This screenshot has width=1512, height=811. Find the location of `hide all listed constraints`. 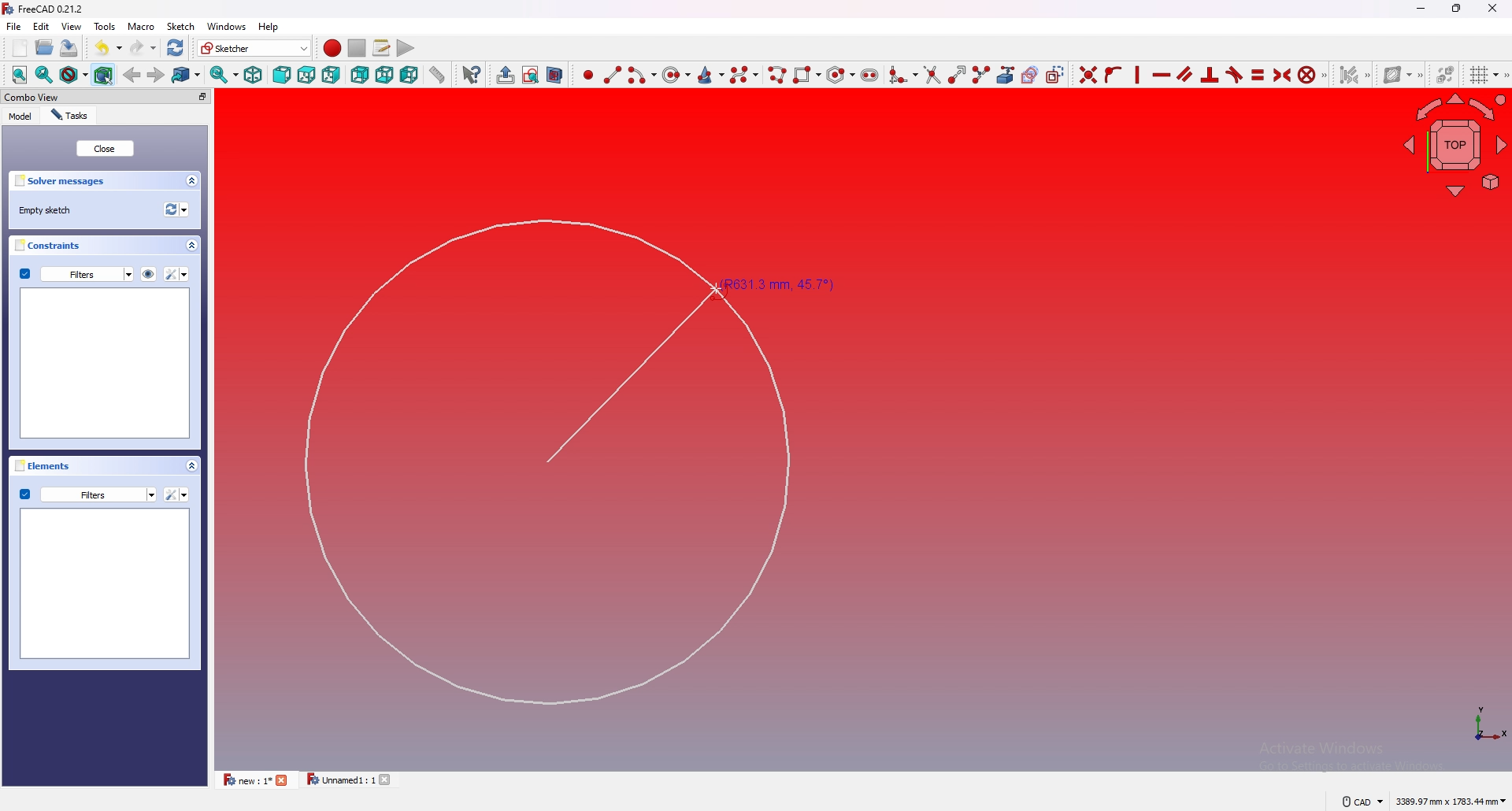

hide all listed constraints is located at coordinates (149, 273).